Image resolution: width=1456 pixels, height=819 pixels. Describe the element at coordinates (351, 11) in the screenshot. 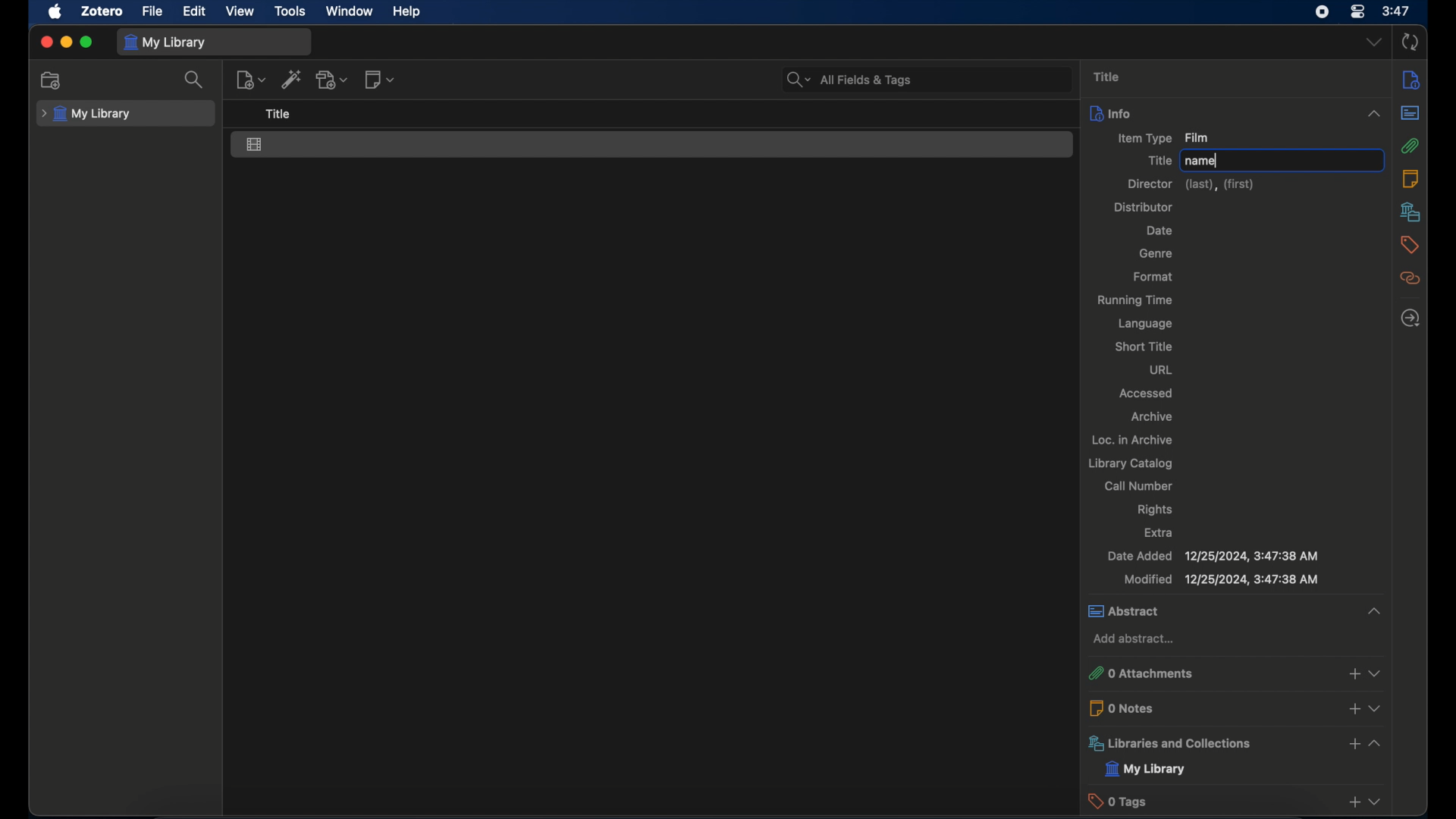

I see `window` at that location.